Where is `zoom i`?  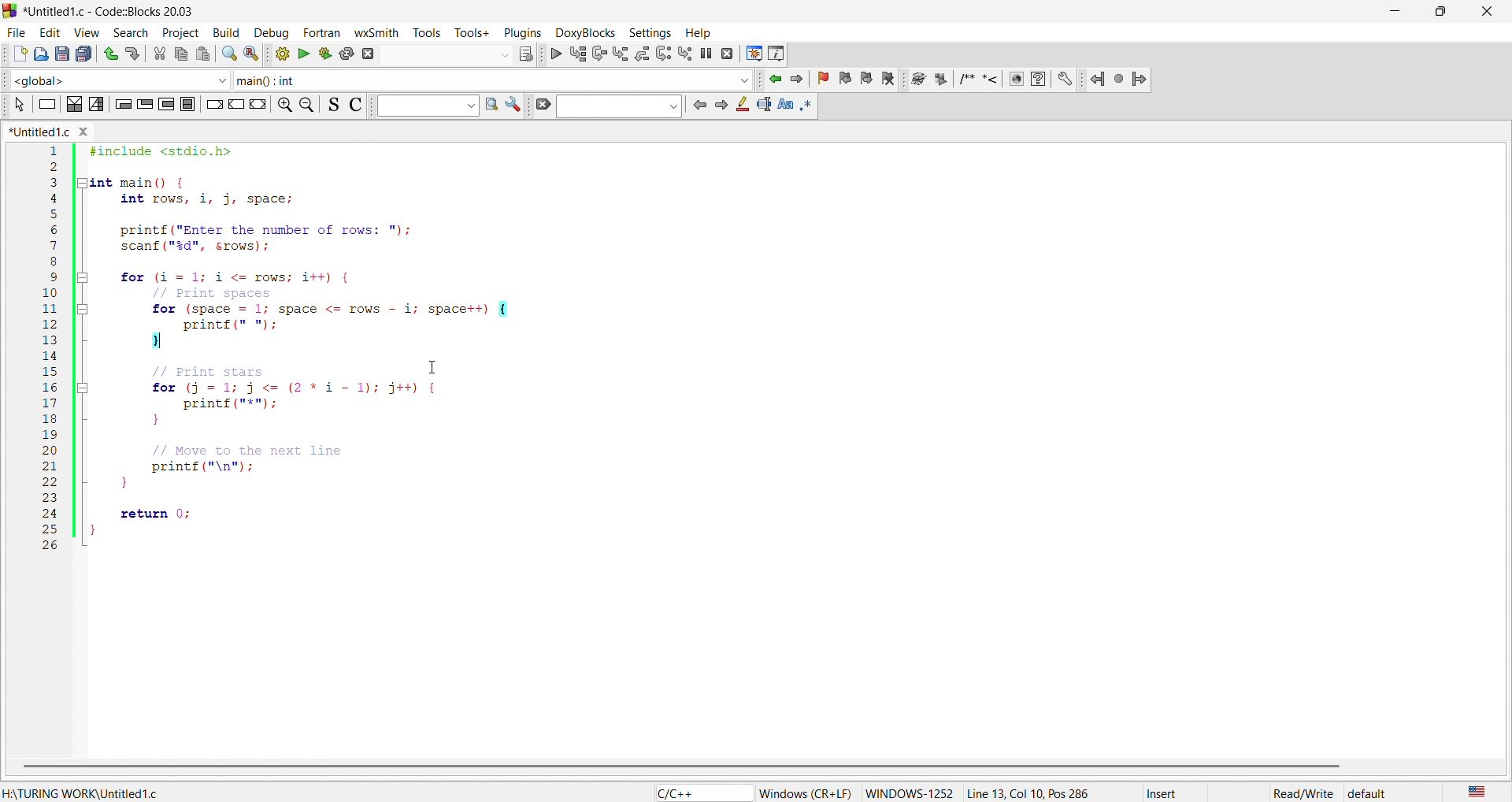 zoom i is located at coordinates (282, 105).